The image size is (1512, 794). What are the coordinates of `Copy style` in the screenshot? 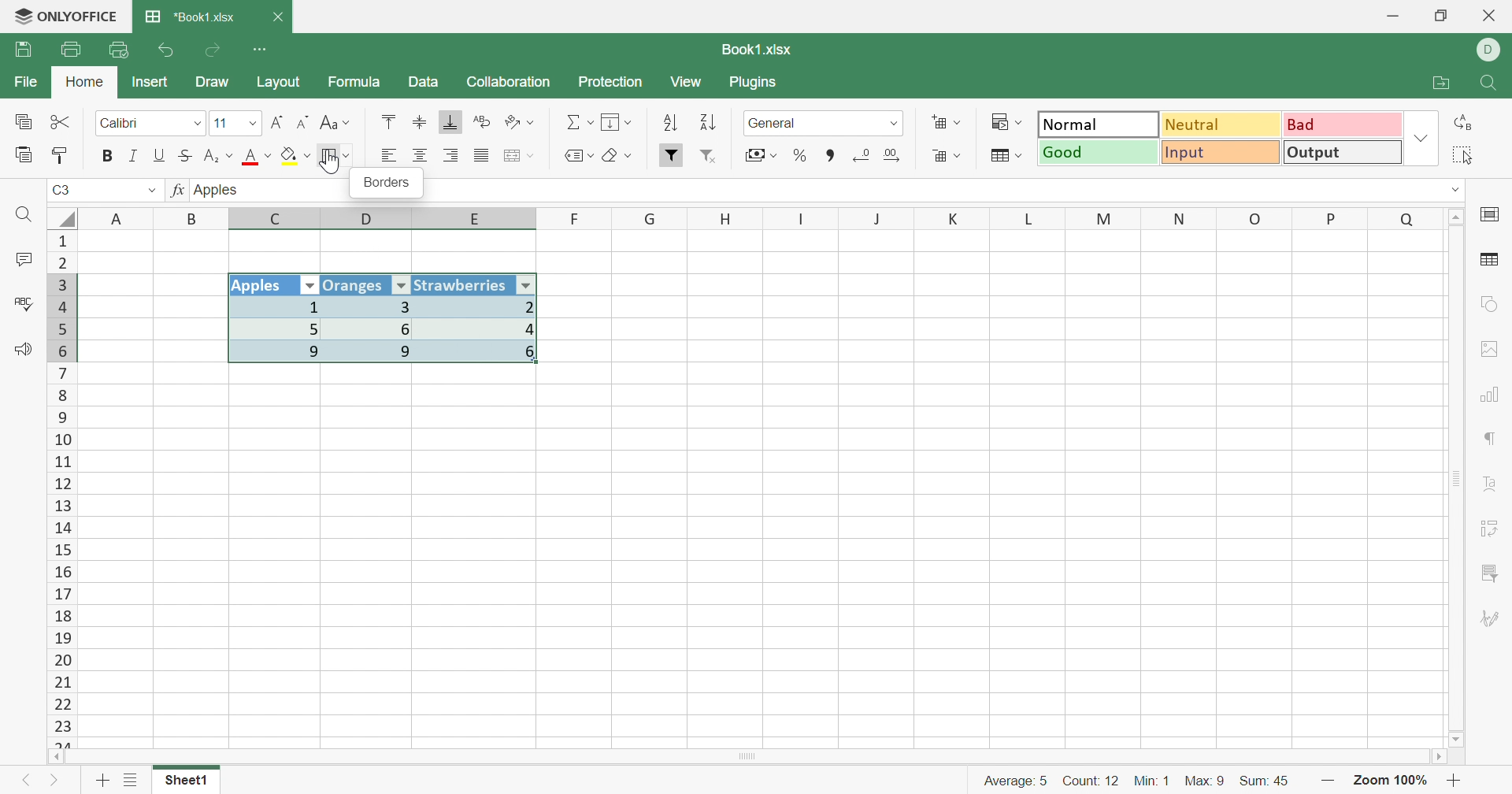 It's located at (62, 154).